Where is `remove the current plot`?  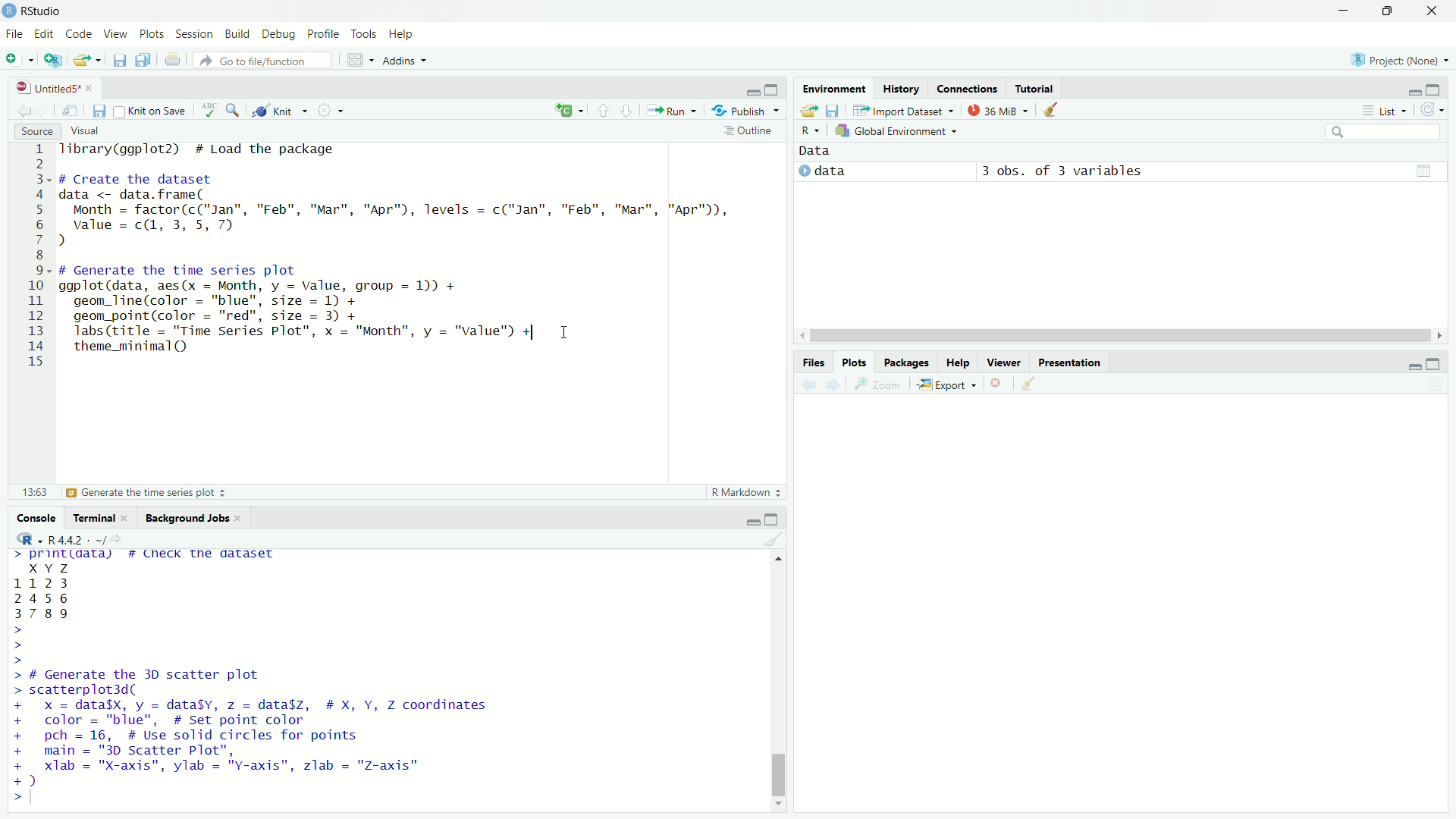 remove the current plot is located at coordinates (998, 383).